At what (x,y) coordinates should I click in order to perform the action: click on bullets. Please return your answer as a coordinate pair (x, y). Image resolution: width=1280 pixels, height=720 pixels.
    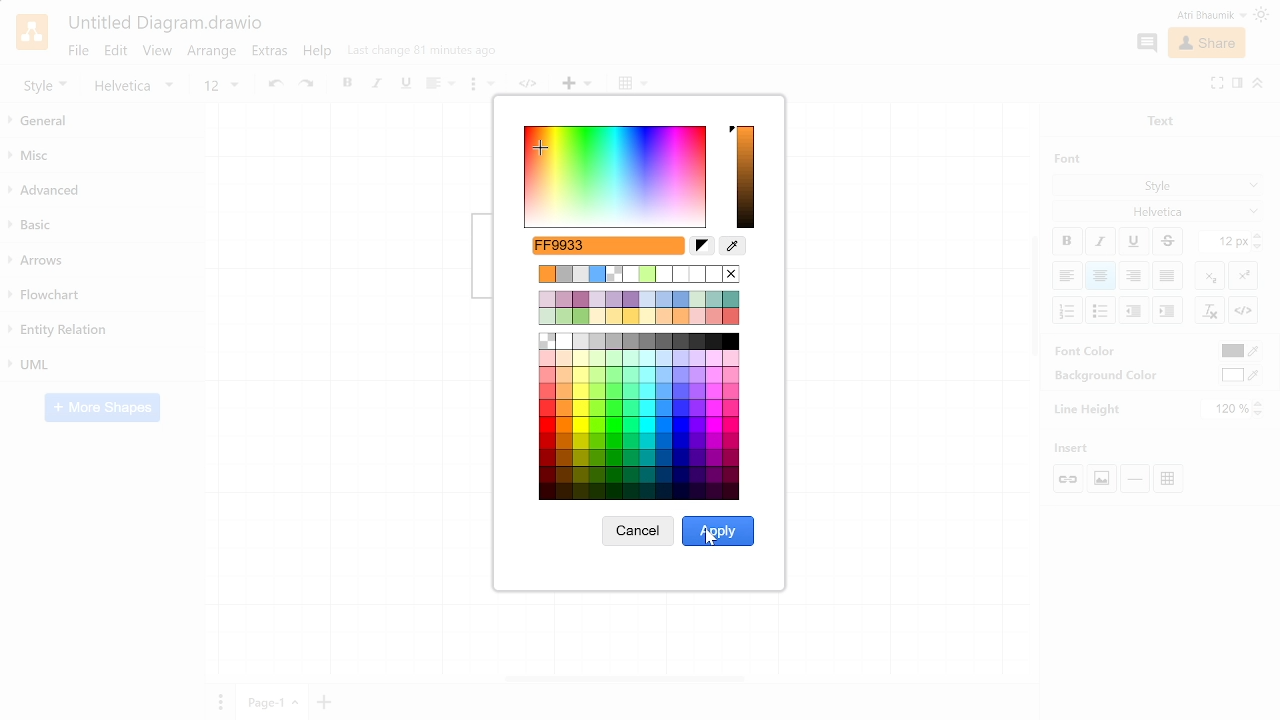
    Looking at the image, I should click on (481, 87).